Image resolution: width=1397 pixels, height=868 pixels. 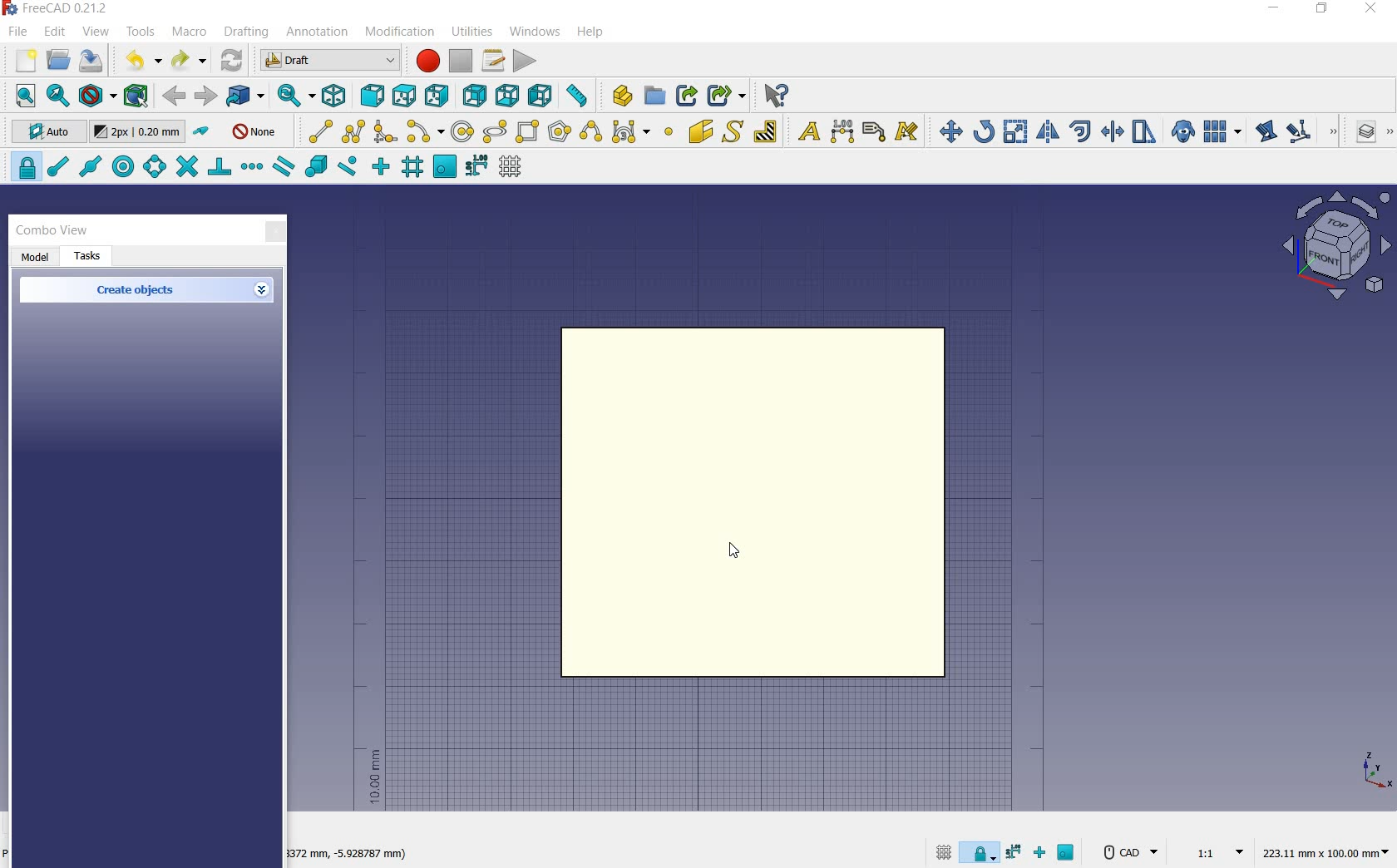 I want to click on fit all, so click(x=22, y=96).